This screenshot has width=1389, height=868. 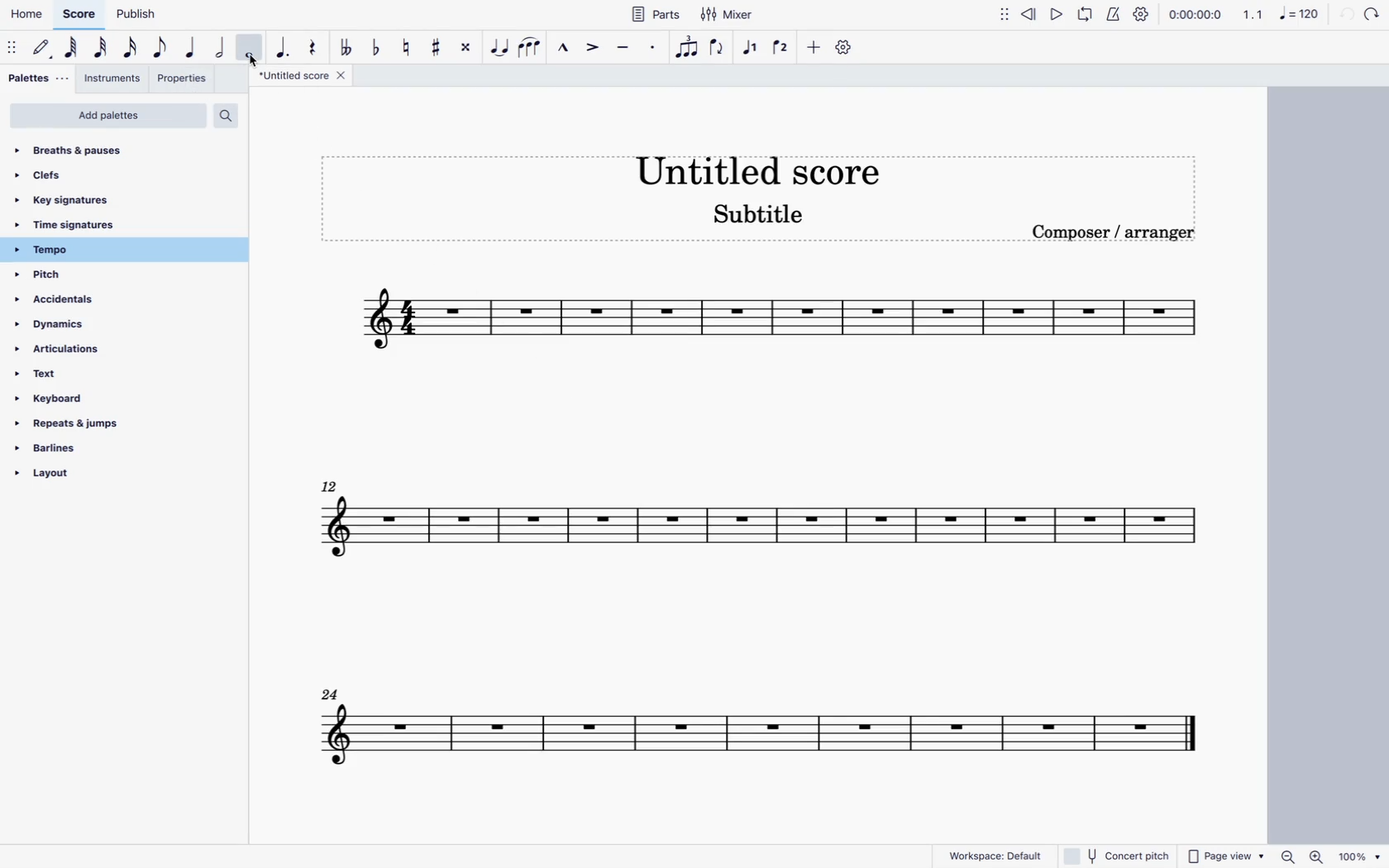 What do you see at coordinates (250, 62) in the screenshot?
I see `cursor` at bounding box center [250, 62].